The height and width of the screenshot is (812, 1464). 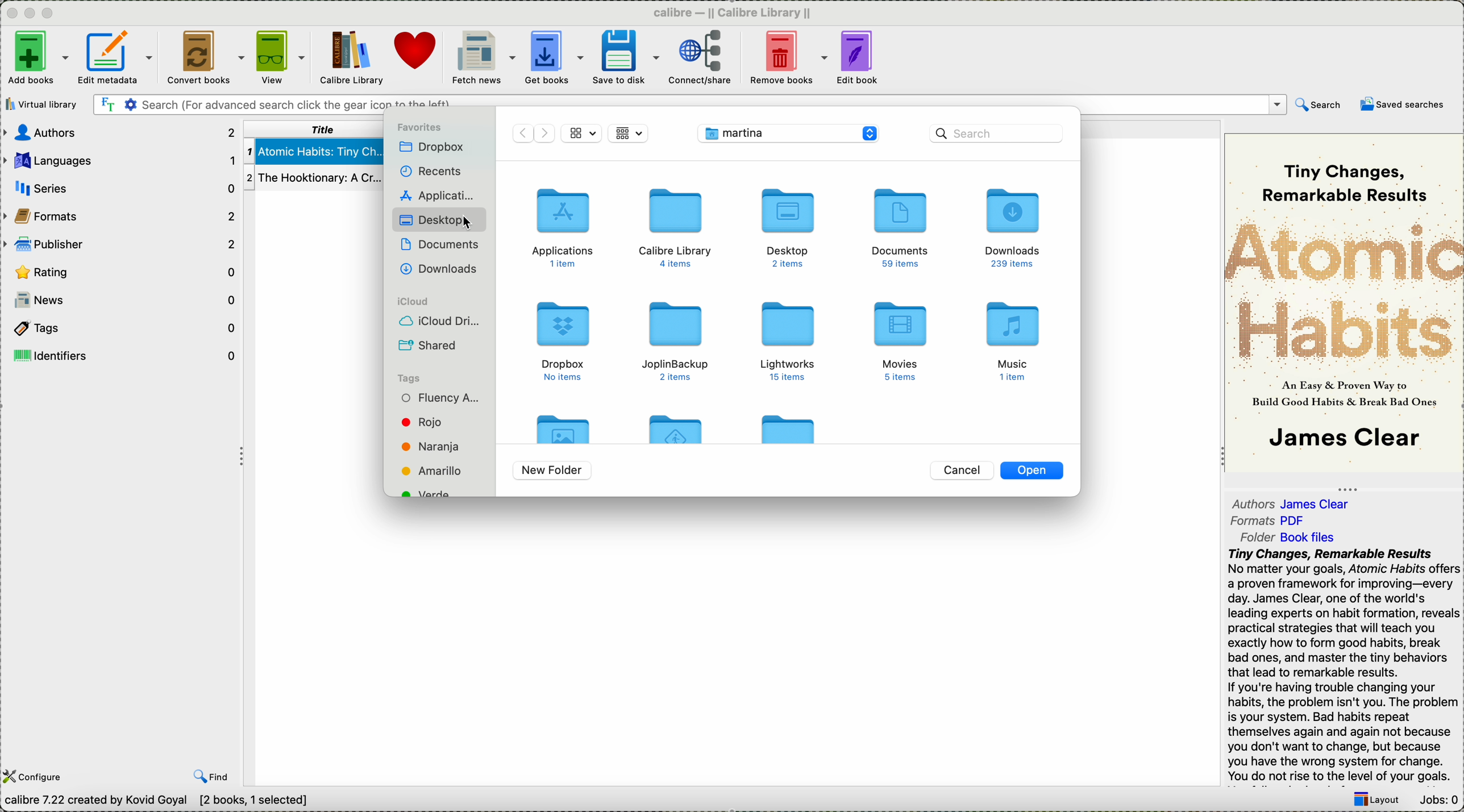 I want to click on folder, so click(x=1291, y=538).